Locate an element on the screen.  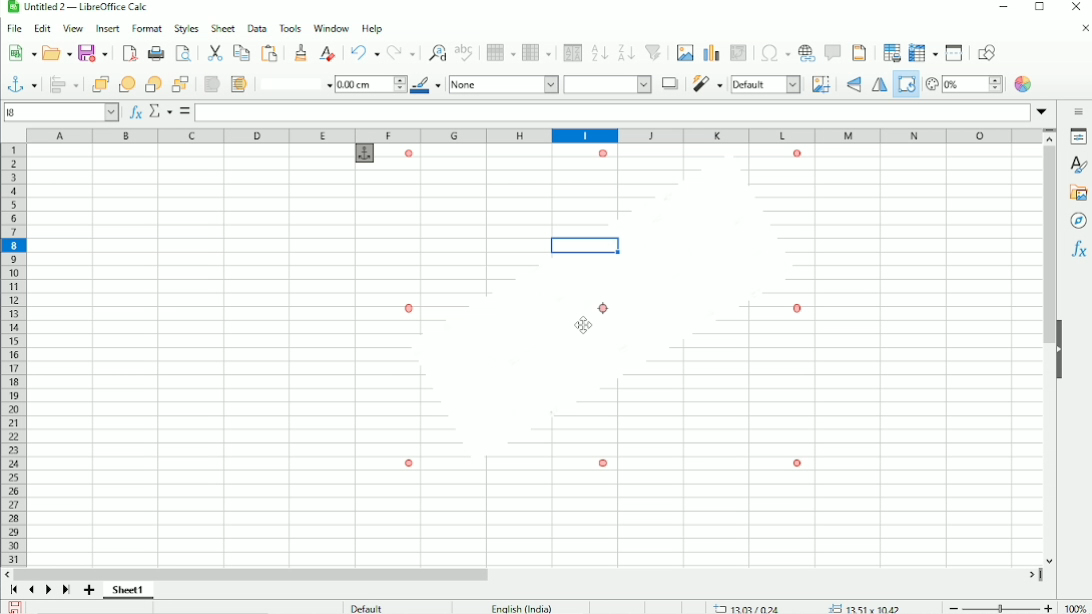
Spell check is located at coordinates (466, 52).